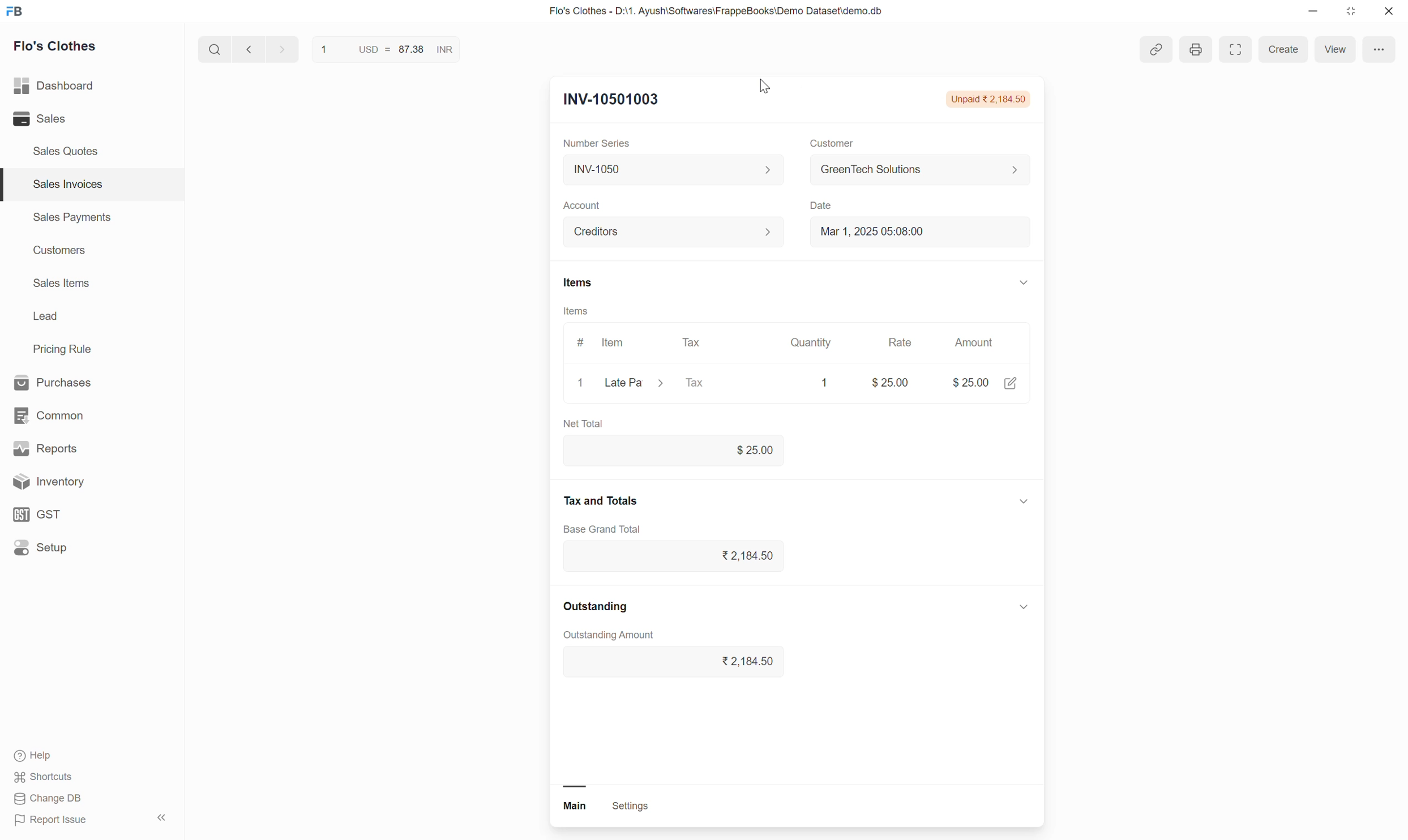 This screenshot has width=1408, height=840. What do you see at coordinates (609, 100) in the screenshot?
I see `New Entry` at bounding box center [609, 100].